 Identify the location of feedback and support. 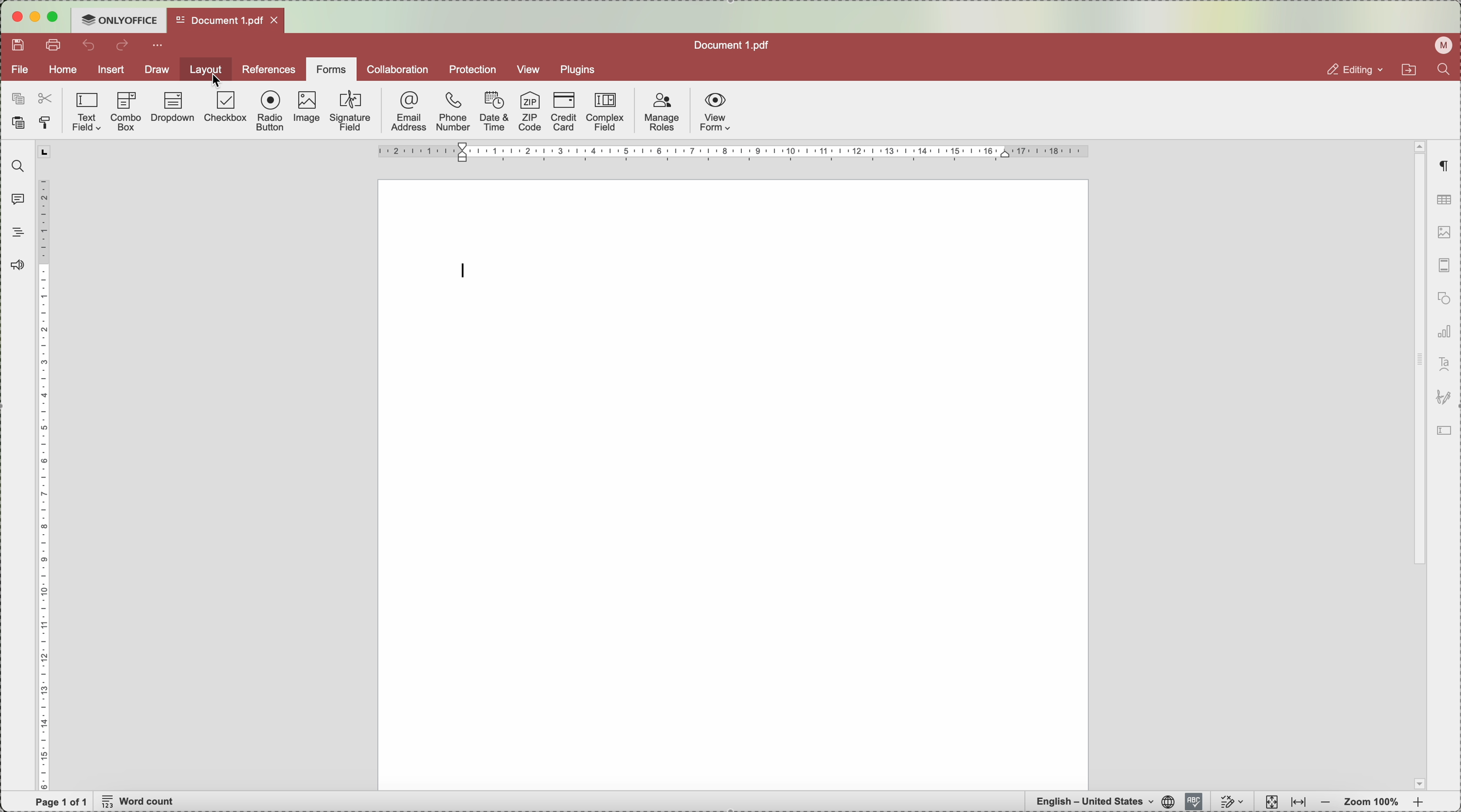
(19, 264).